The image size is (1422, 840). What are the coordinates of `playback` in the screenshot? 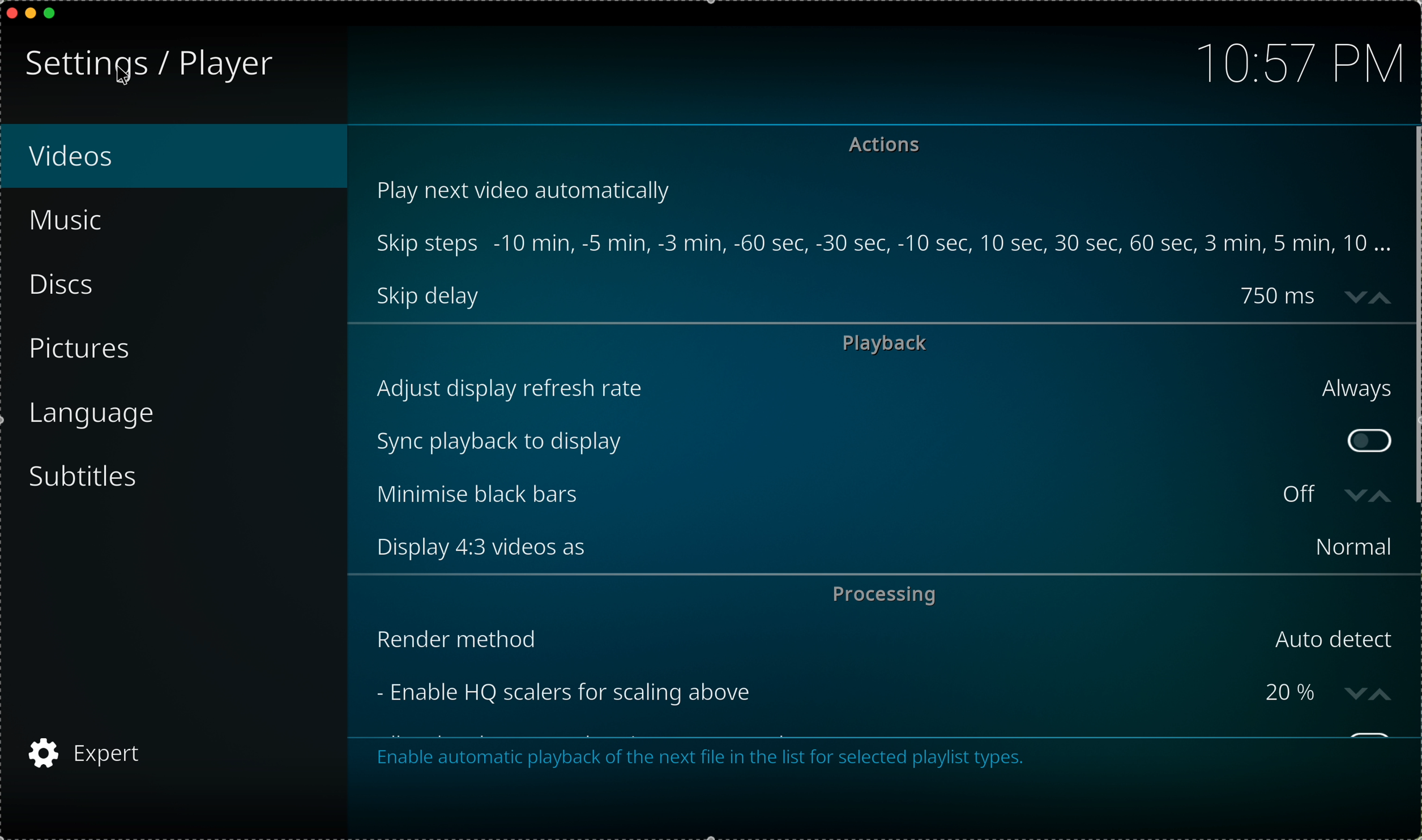 It's located at (885, 343).